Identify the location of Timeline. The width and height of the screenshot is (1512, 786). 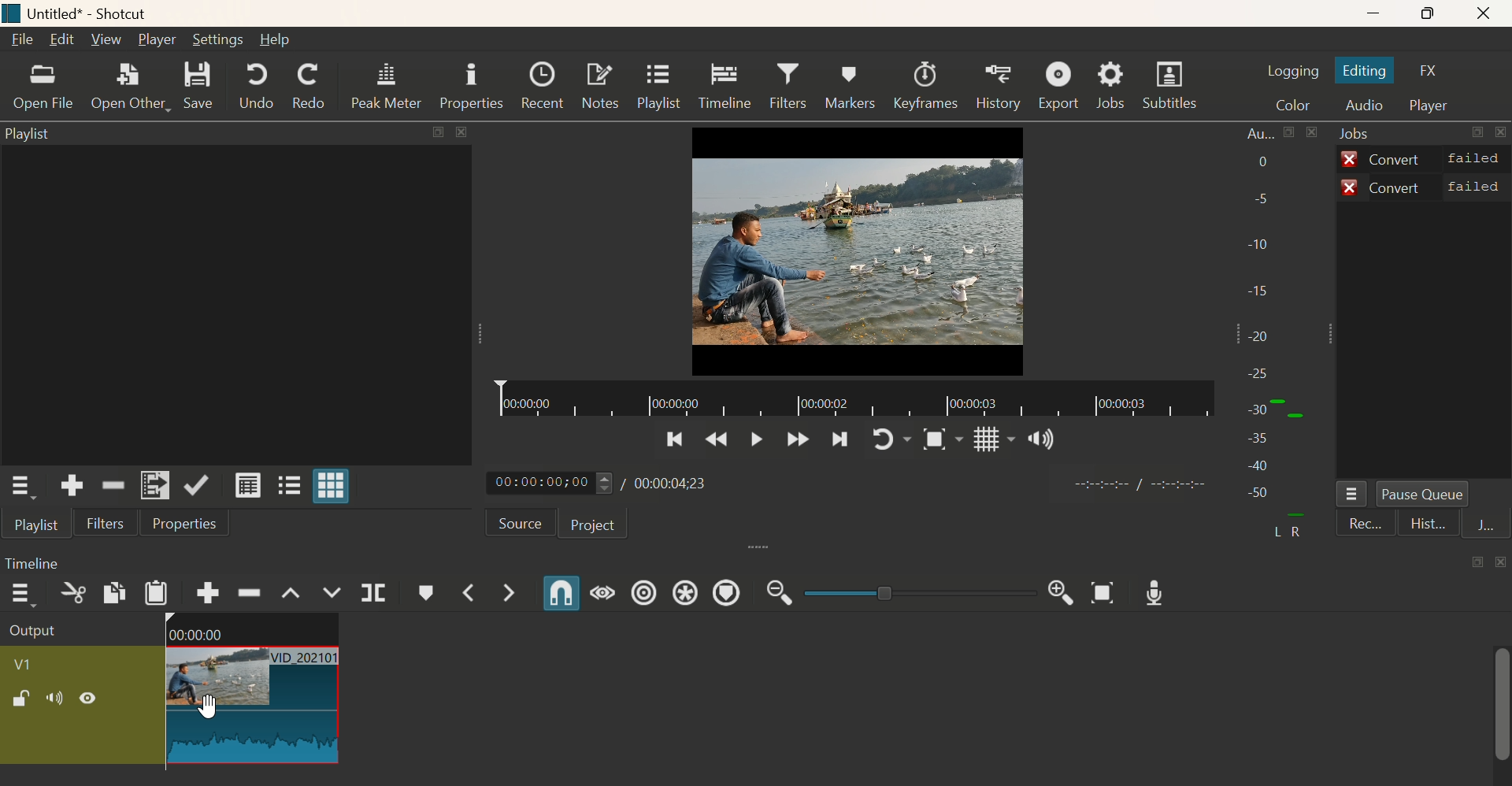
(724, 86).